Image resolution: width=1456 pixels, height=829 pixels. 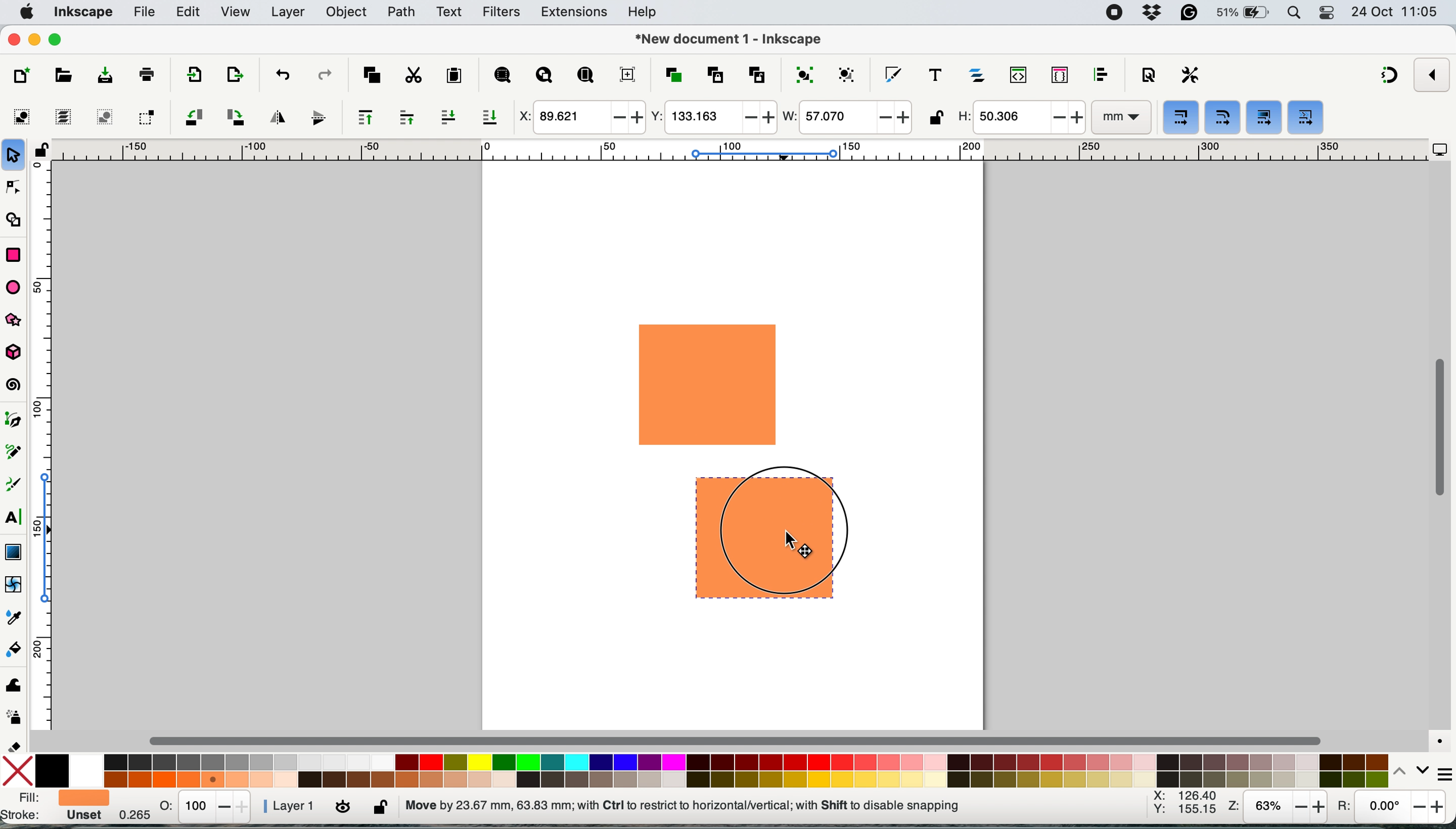 What do you see at coordinates (1119, 118) in the screenshot?
I see `mm` at bounding box center [1119, 118].